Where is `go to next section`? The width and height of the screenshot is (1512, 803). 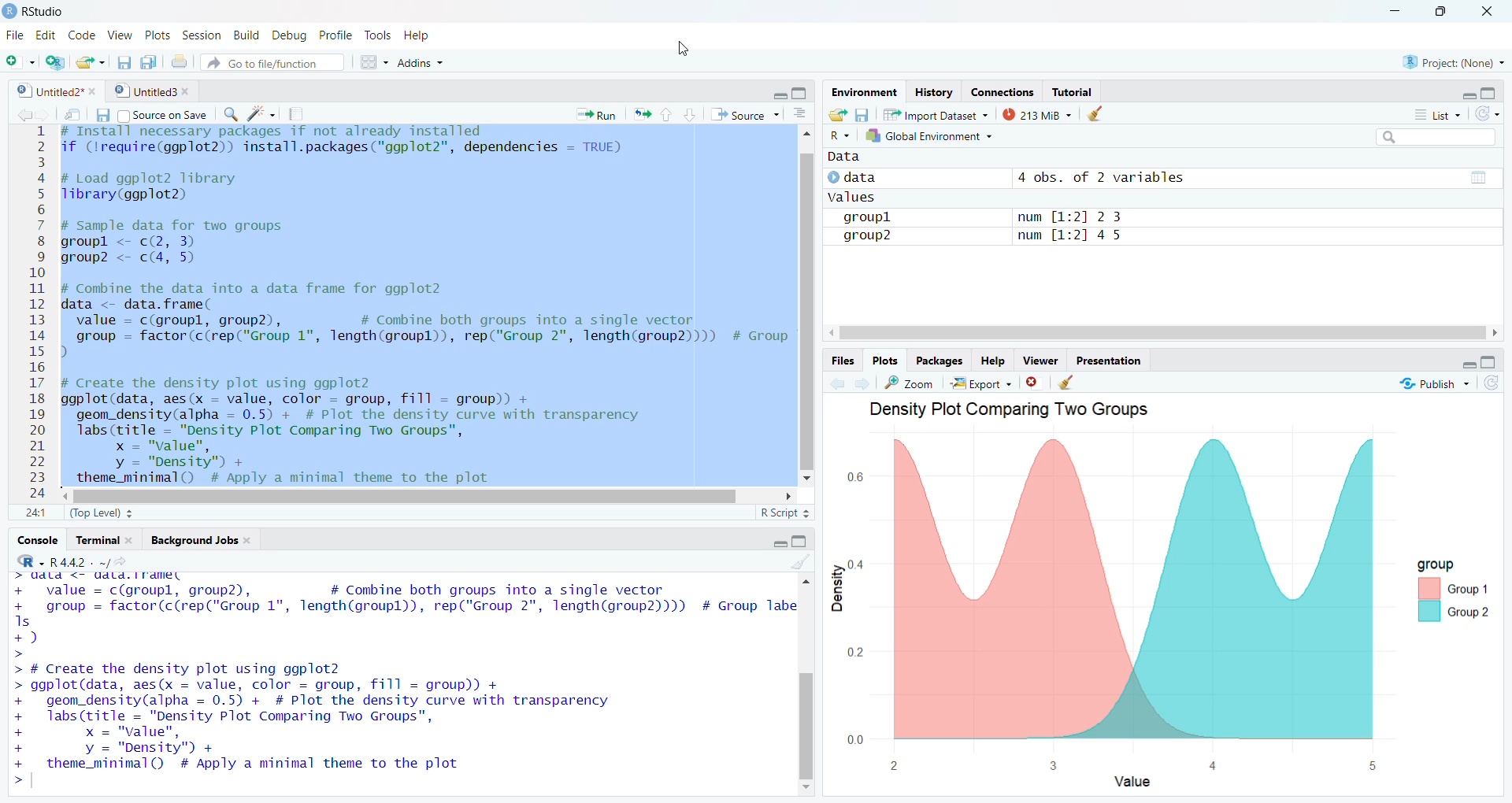
go to next section is located at coordinates (691, 117).